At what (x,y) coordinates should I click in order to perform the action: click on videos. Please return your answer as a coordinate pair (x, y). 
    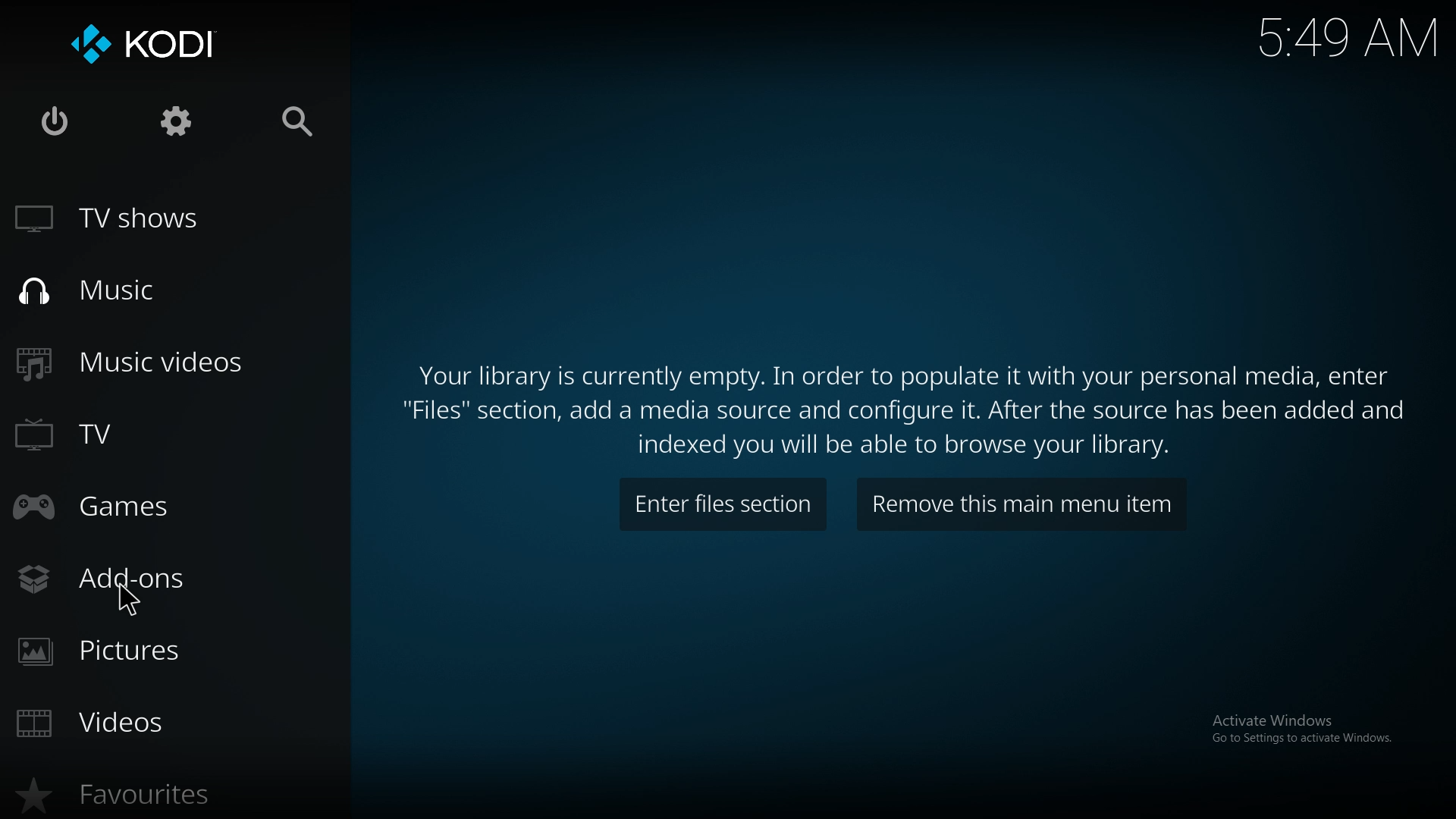
    Looking at the image, I should click on (101, 727).